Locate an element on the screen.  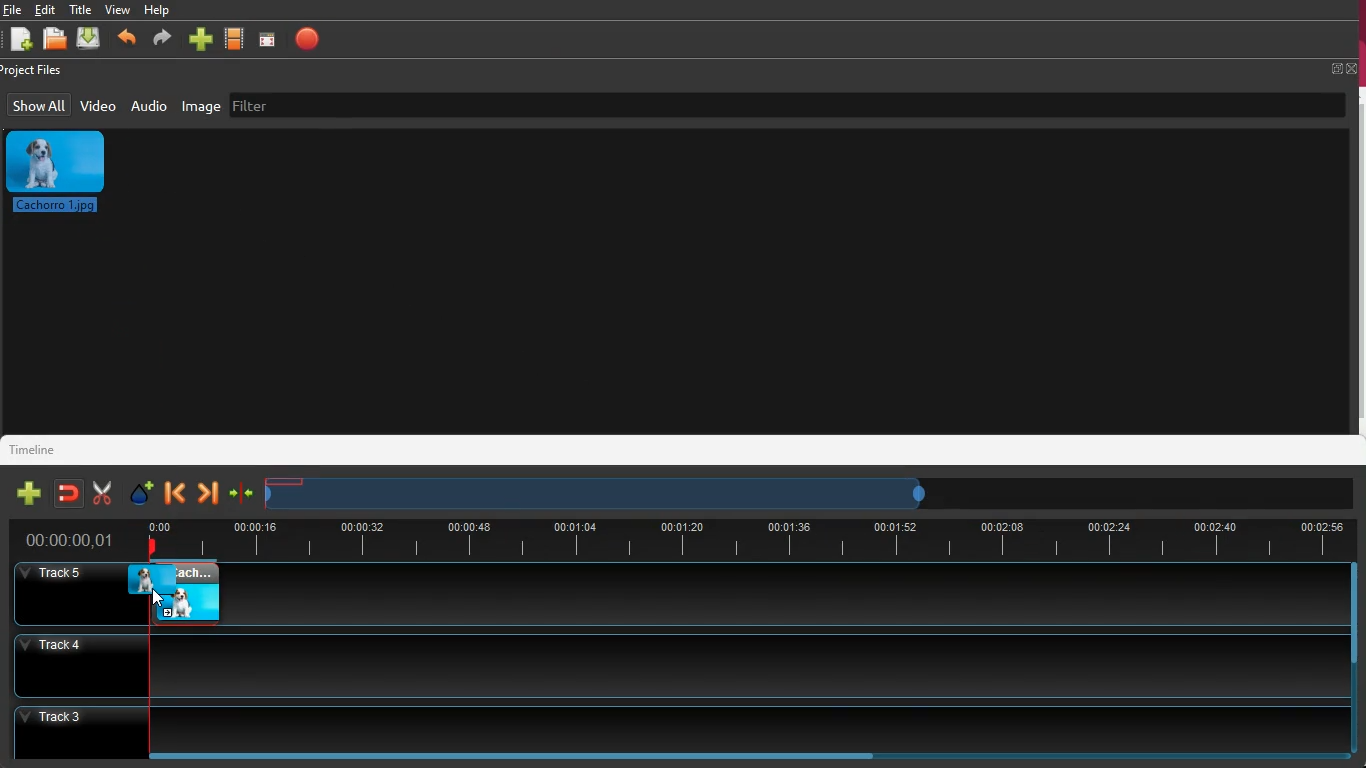
file is located at coordinates (12, 9).